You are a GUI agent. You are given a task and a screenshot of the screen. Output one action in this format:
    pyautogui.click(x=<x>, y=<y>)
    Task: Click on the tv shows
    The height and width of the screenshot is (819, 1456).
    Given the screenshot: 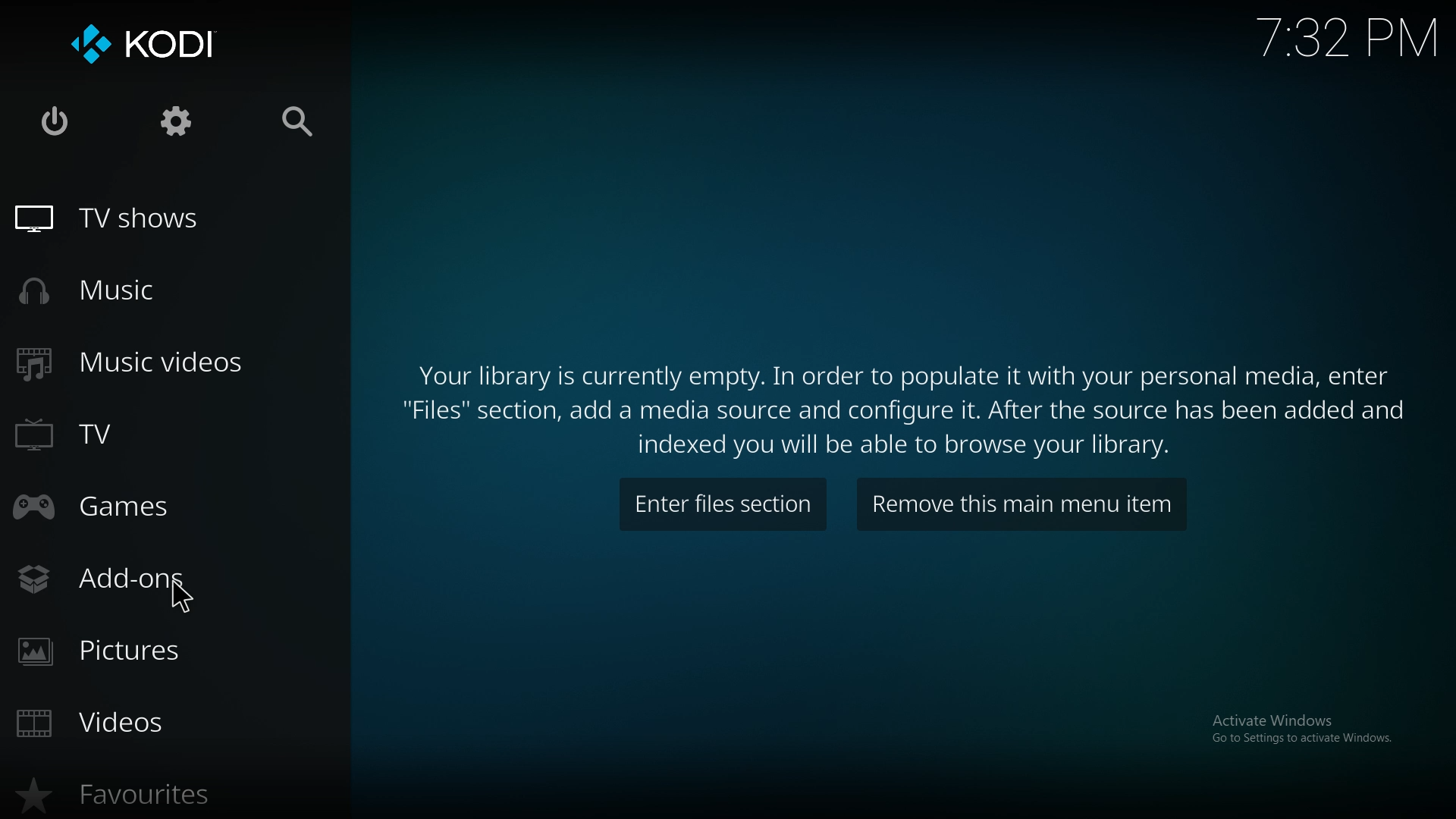 What is the action you would take?
    pyautogui.click(x=117, y=219)
    